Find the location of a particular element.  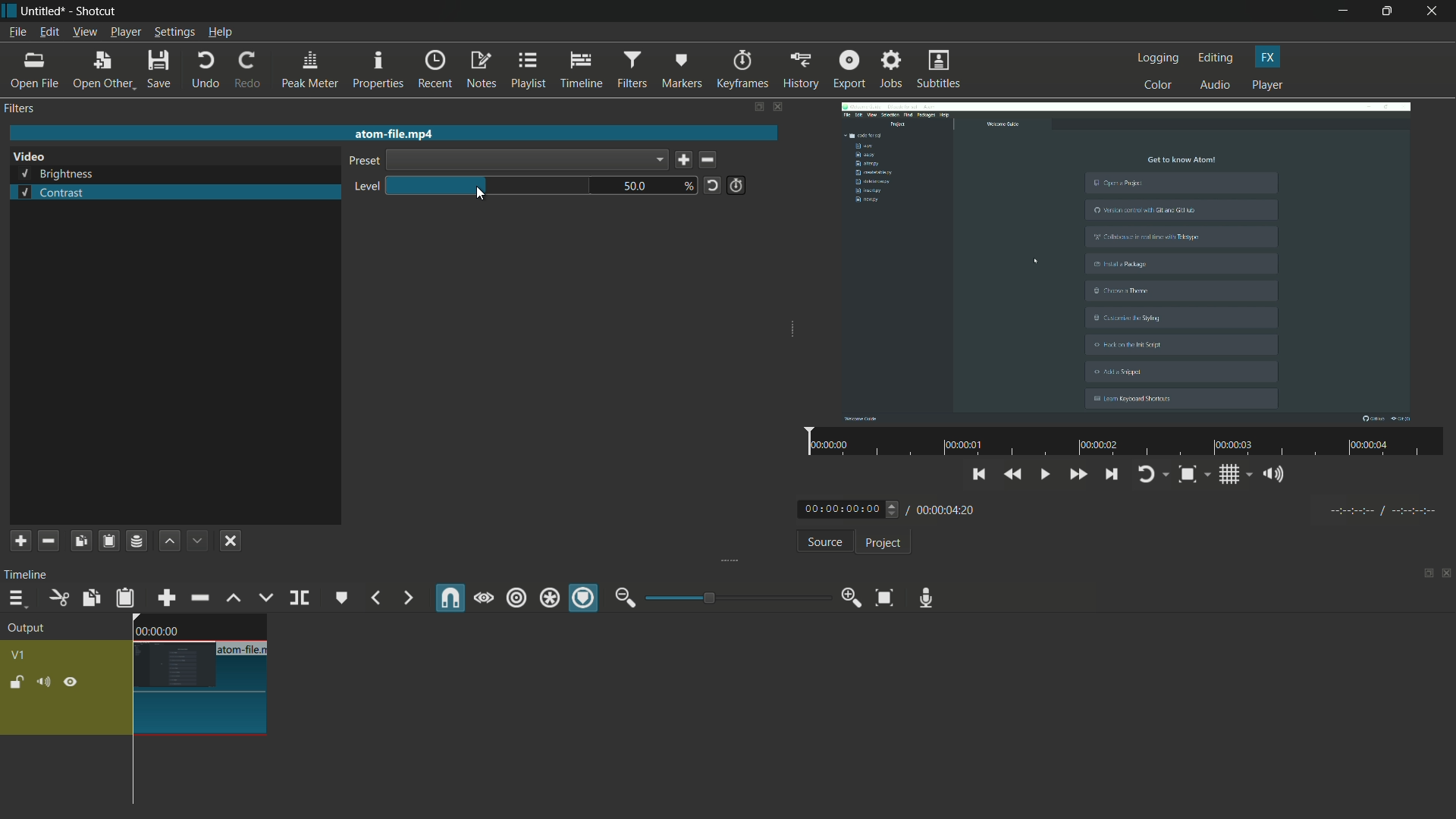

append is located at coordinates (165, 598).